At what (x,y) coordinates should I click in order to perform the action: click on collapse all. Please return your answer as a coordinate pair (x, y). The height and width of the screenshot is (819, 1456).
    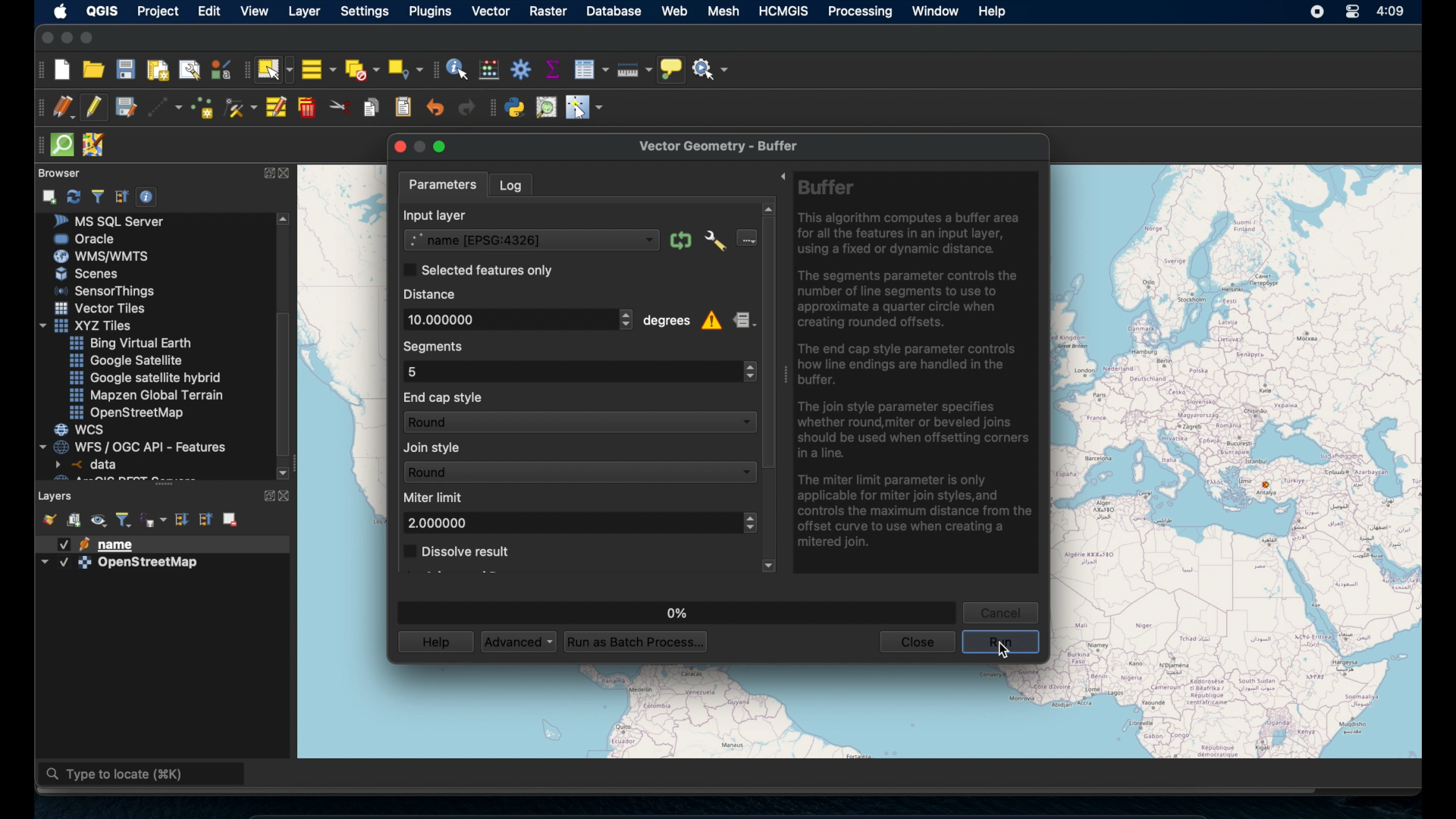
    Looking at the image, I should click on (121, 195).